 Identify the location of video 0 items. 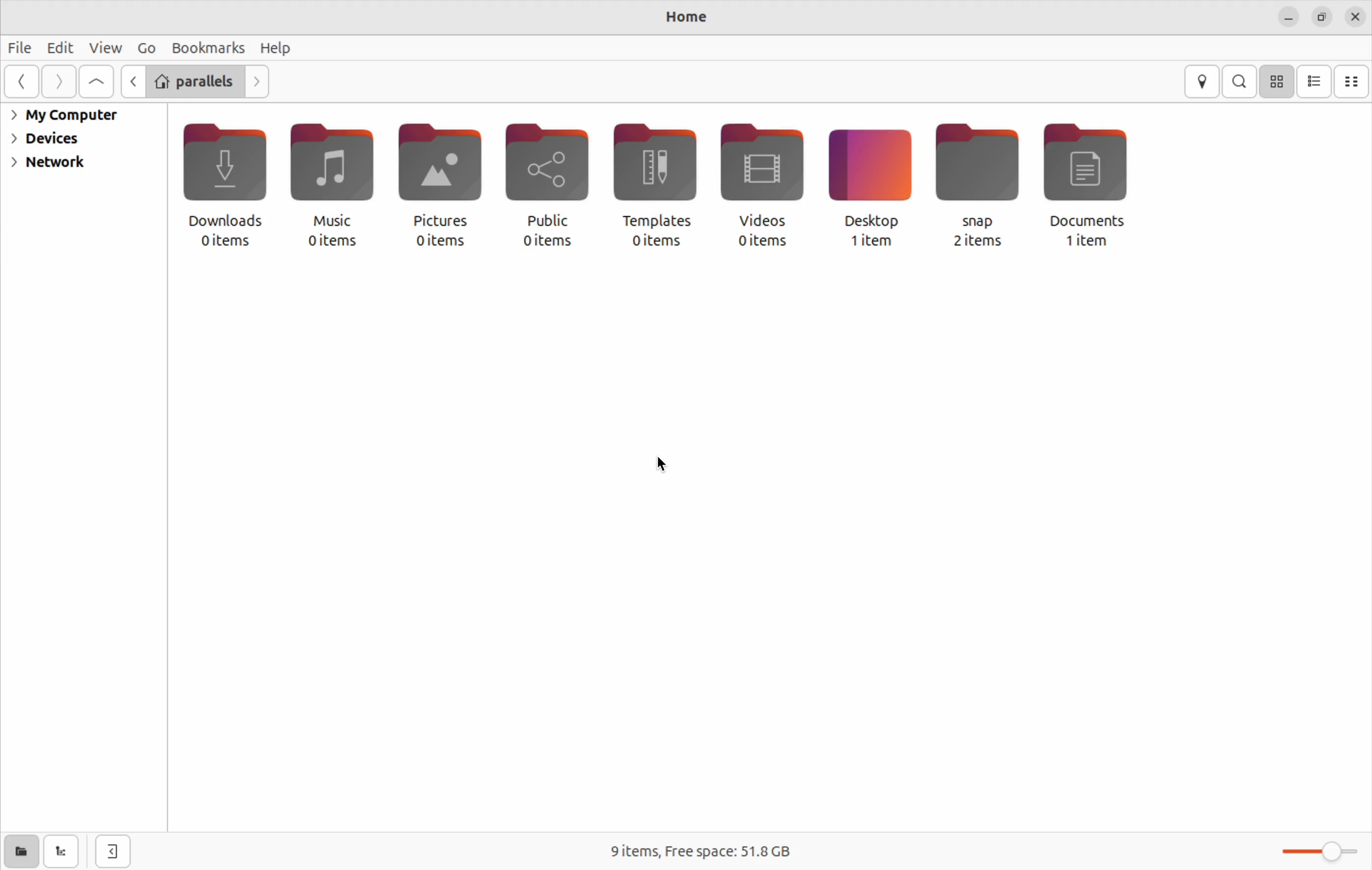
(758, 191).